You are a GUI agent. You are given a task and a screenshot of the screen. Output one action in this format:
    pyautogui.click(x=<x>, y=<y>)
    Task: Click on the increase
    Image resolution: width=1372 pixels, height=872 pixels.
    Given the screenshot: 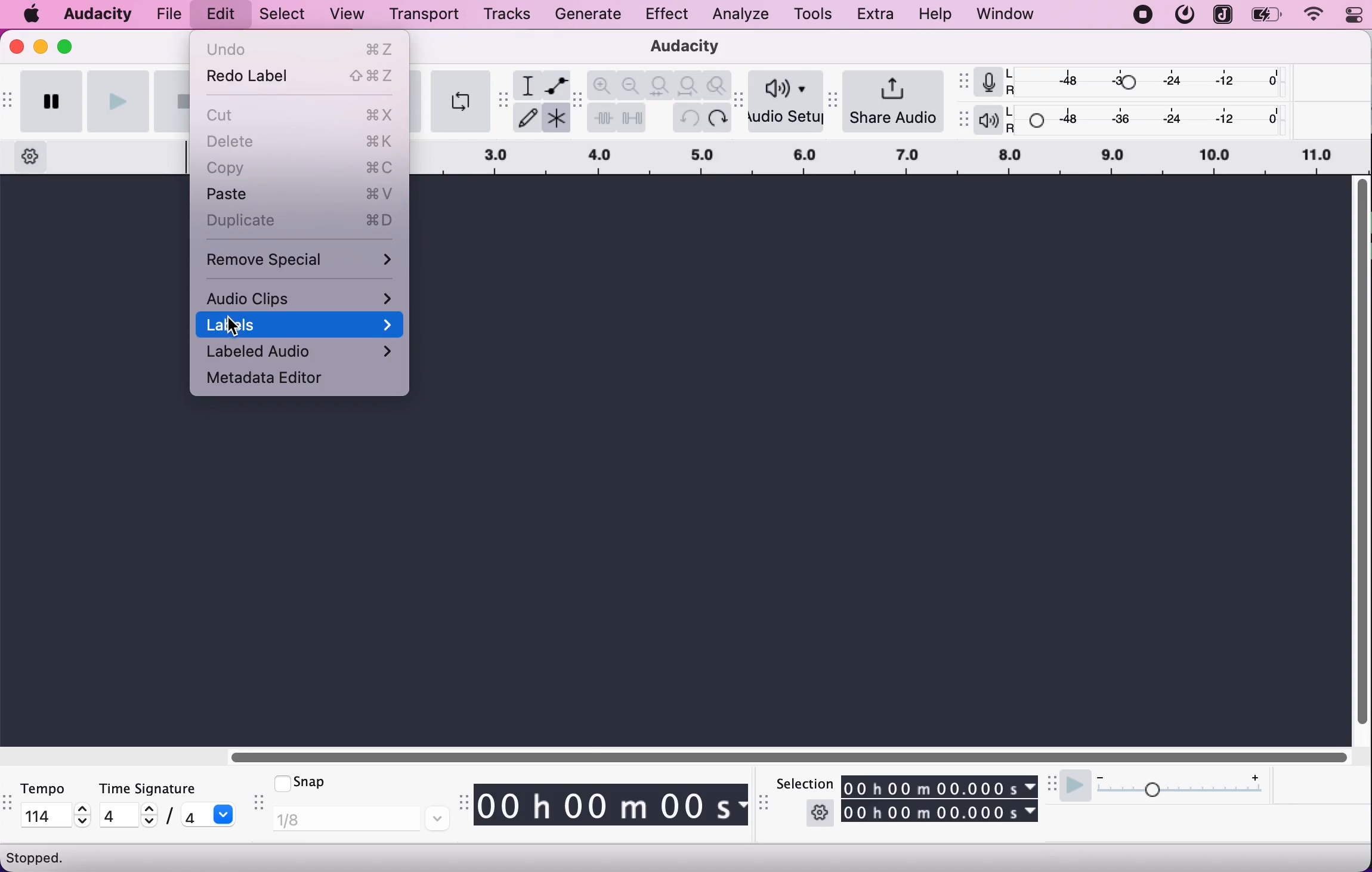 What is the action you would take?
    pyautogui.click(x=83, y=809)
    